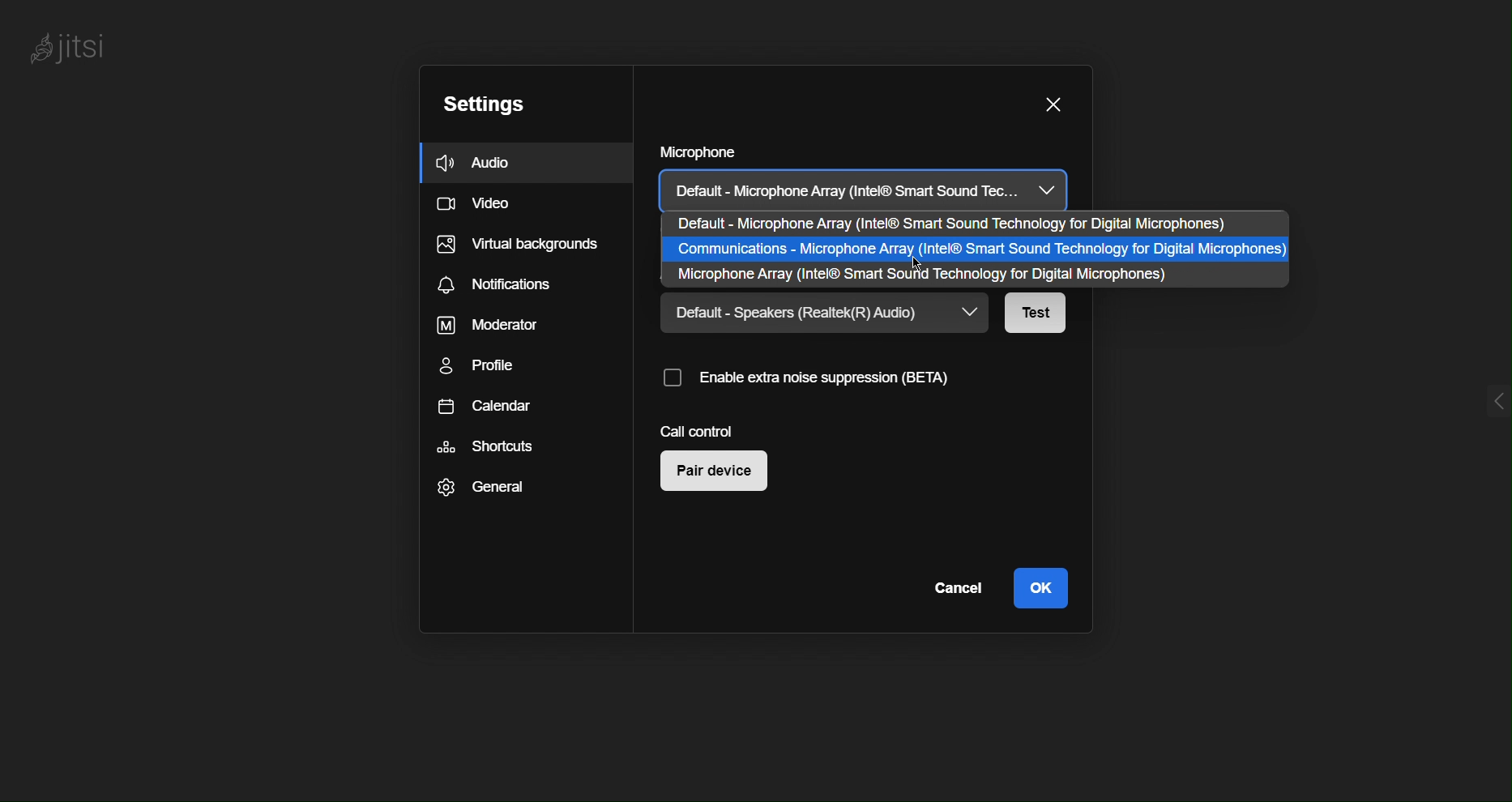  What do you see at coordinates (1050, 103) in the screenshot?
I see `Close` at bounding box center [1050, 103].